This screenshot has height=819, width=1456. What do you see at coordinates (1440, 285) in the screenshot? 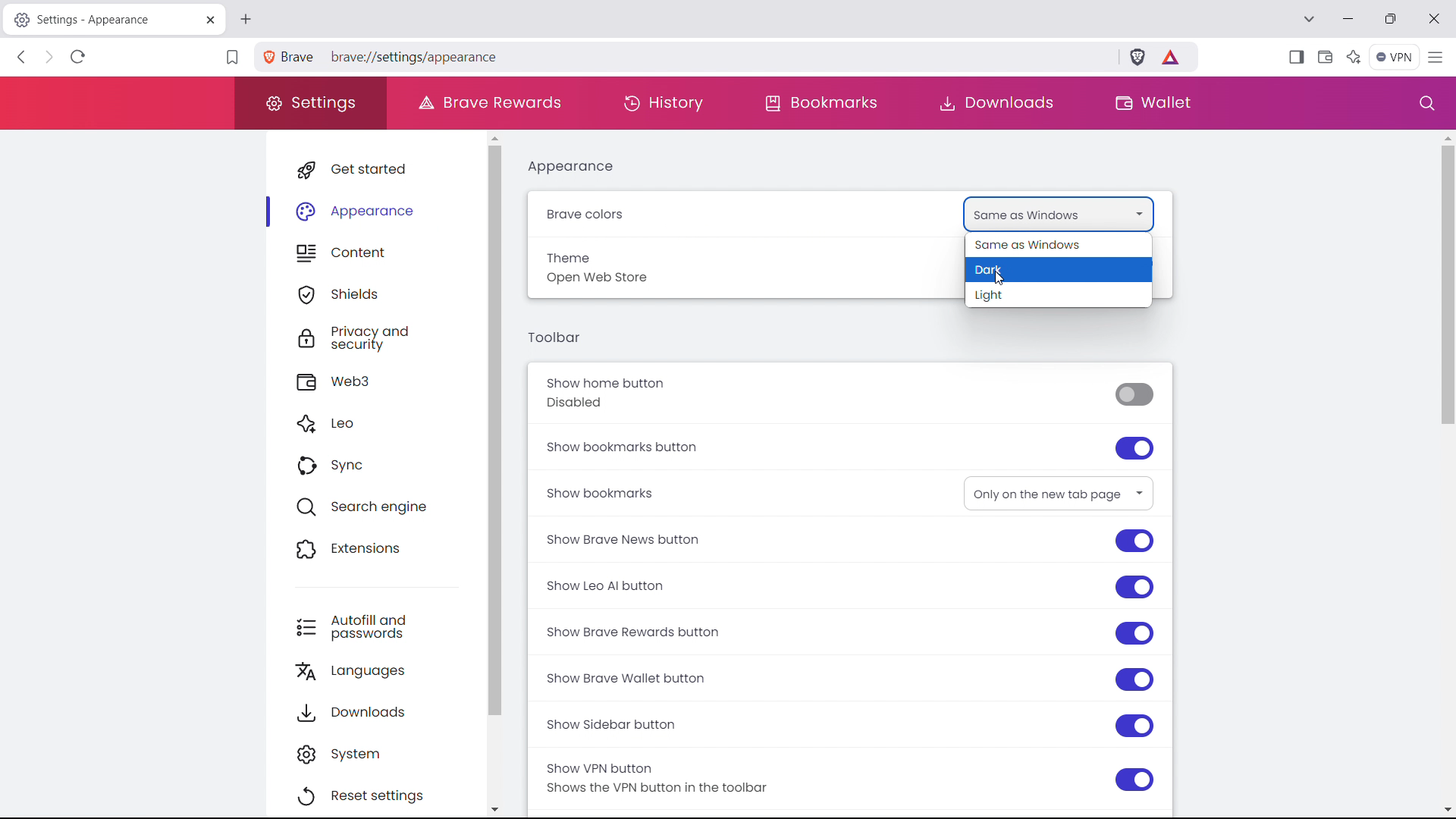
I see `scrollbar` at bounding box center [1440, 285].